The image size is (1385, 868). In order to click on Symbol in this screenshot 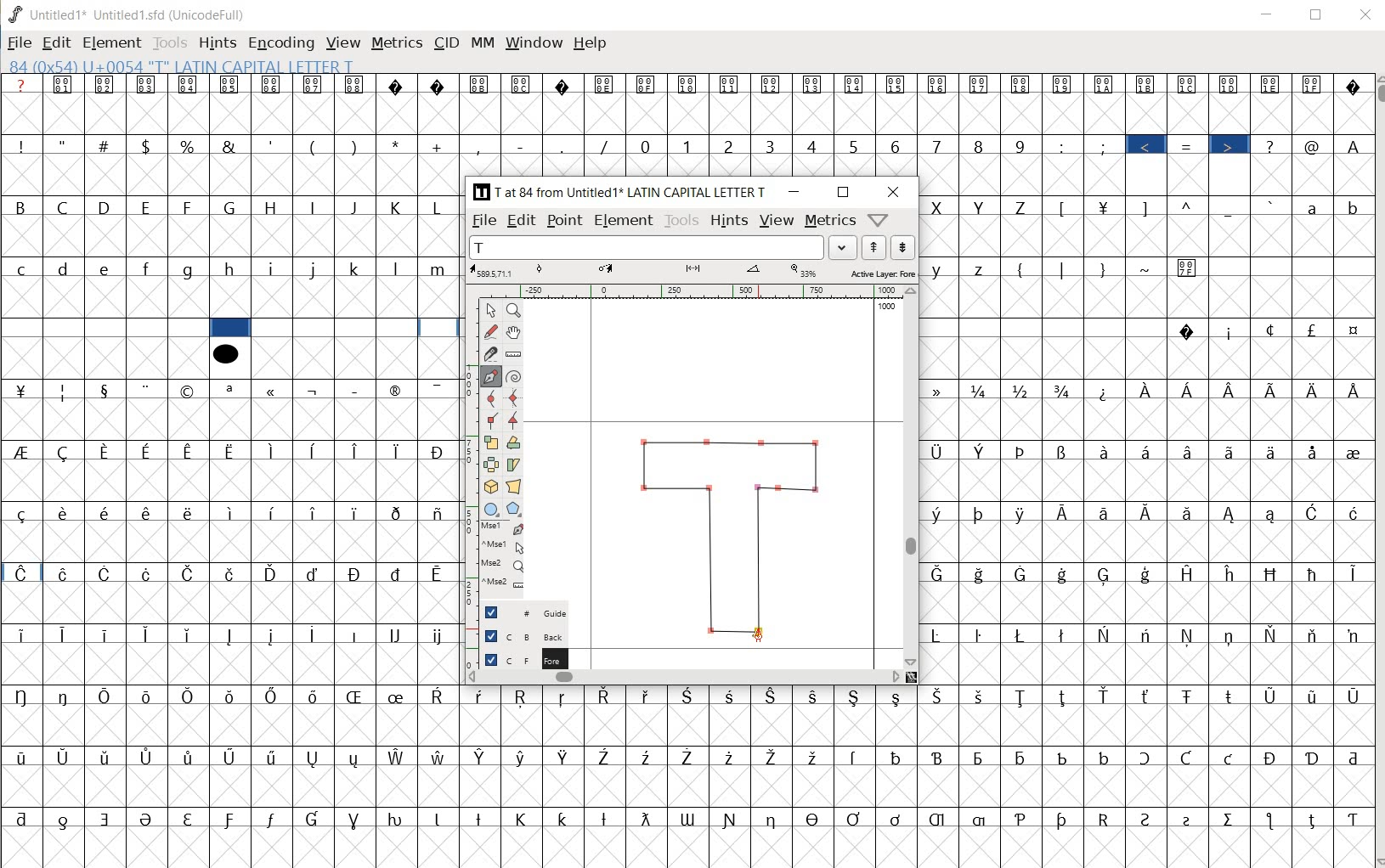, I will do `click(1105, 634)`.